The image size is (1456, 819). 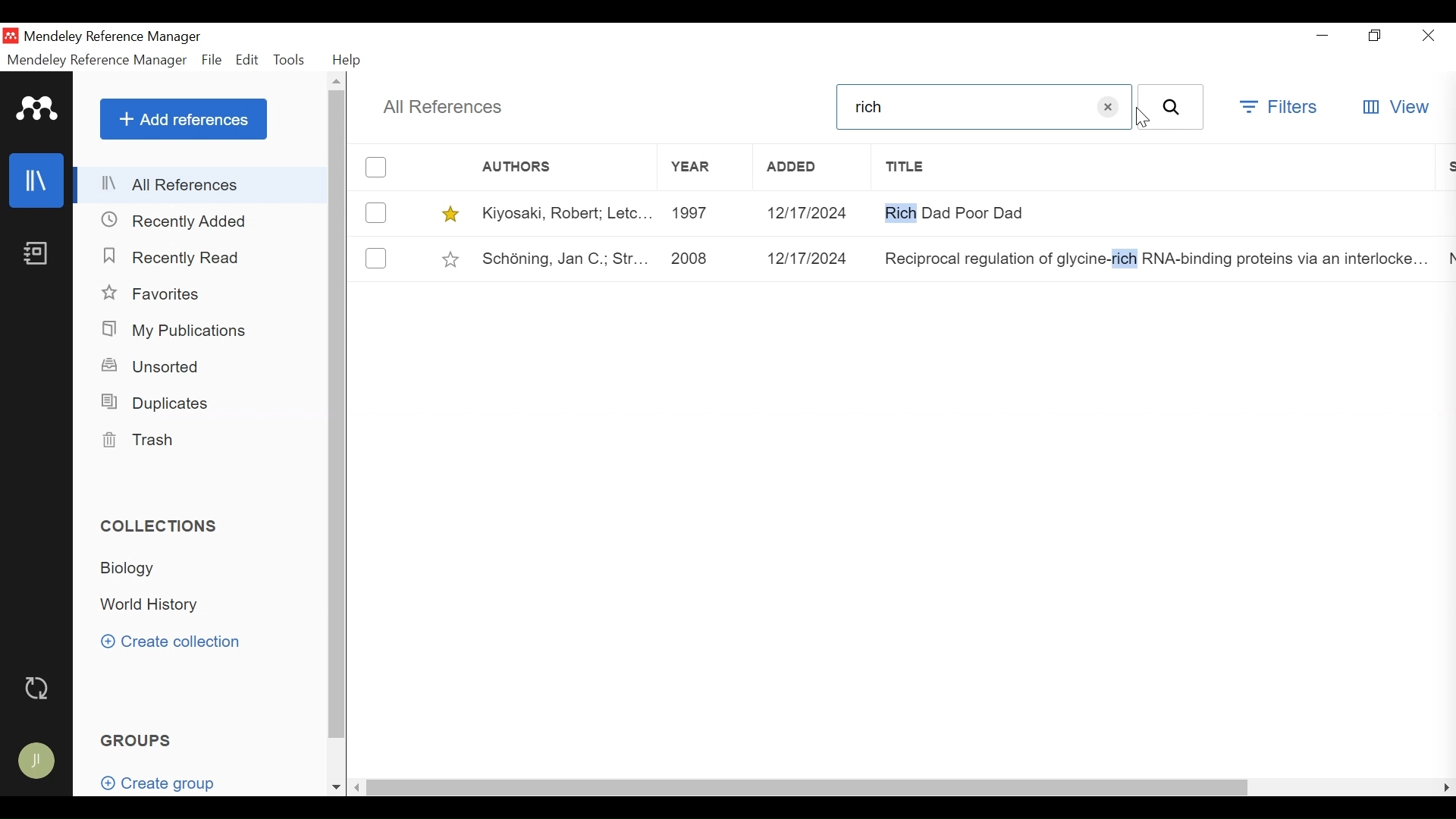 I want to click on Scroll up, so click(x=338, y=81).